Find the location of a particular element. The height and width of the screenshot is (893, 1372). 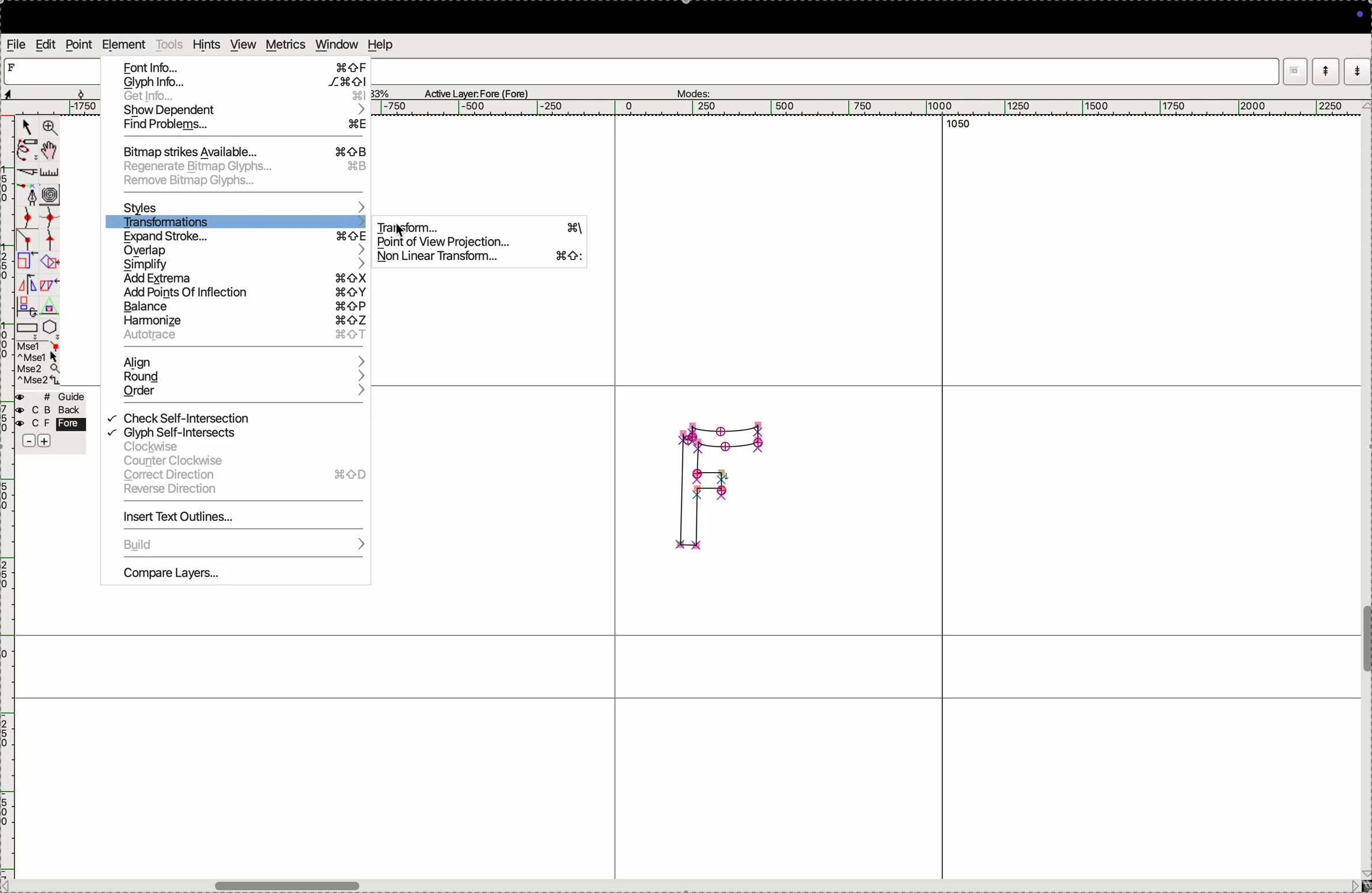

transform is located at coordinates (481, 227).